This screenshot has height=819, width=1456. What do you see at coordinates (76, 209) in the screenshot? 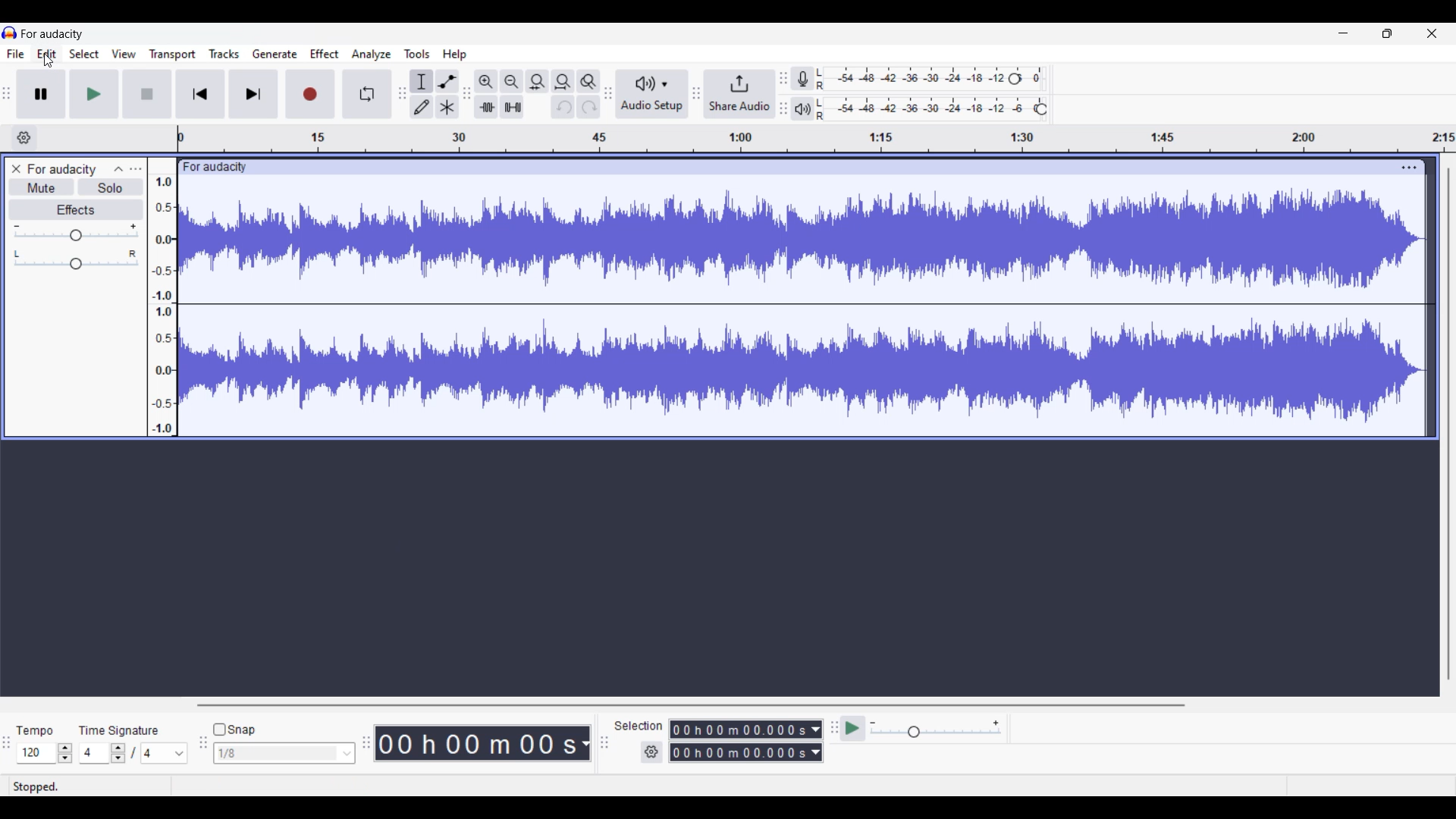
I see `Effects` at bounding box center [76, 209].